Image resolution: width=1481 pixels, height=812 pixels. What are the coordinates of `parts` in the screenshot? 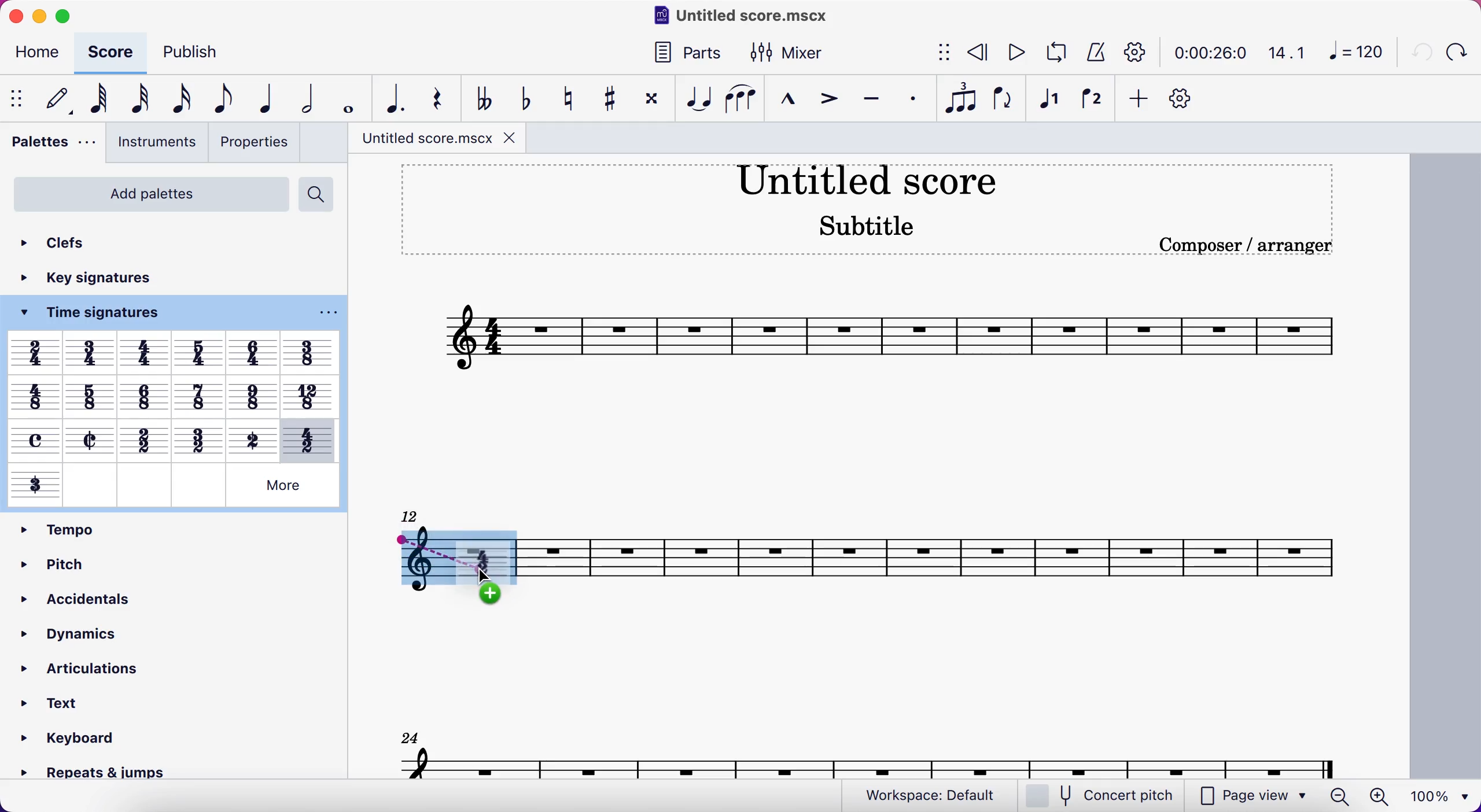 It's located at (684, 52).